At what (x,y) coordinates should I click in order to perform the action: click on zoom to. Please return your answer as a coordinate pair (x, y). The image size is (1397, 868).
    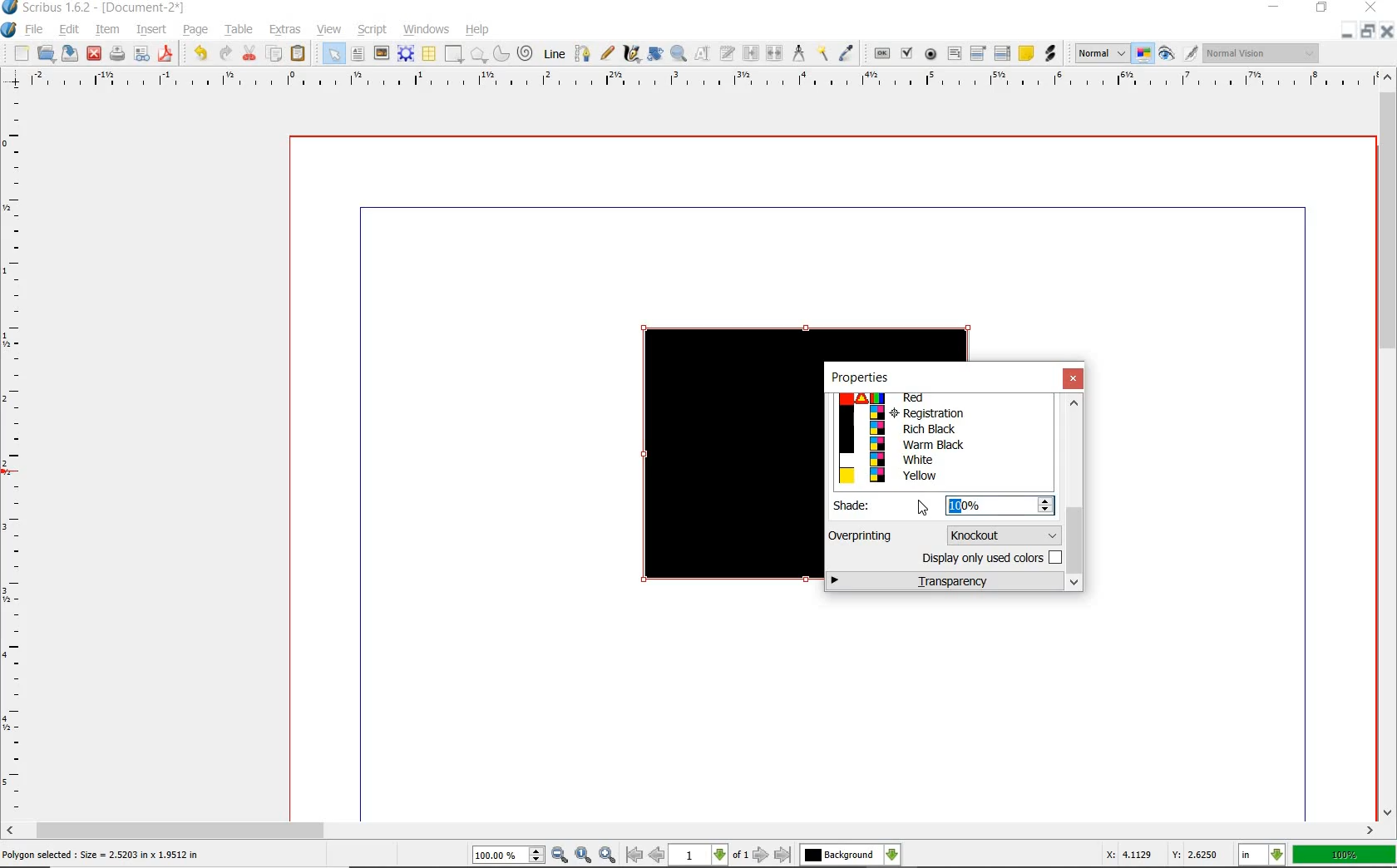
    Looking at the image, I should click on (583, 855).